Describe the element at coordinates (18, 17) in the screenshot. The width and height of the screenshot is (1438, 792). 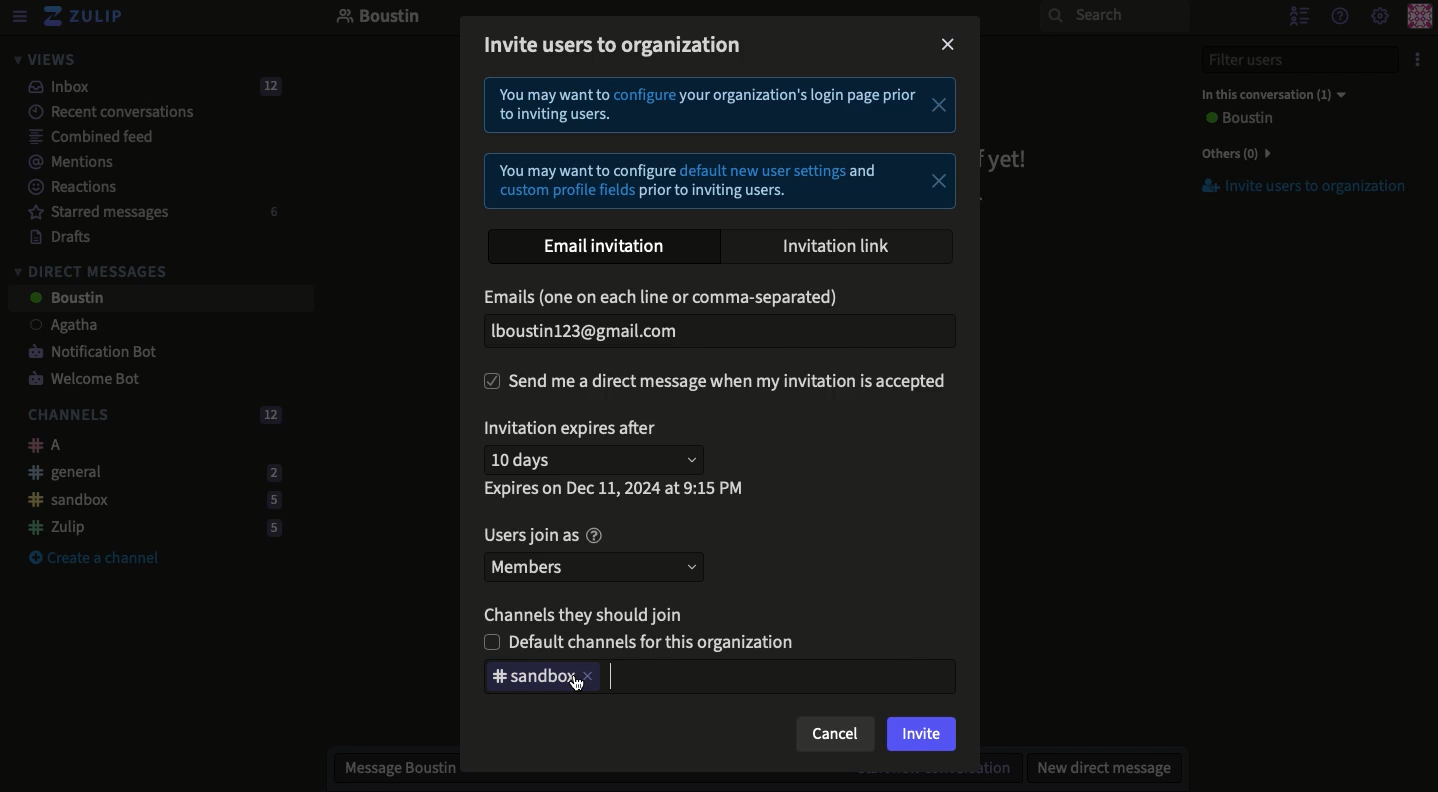
I see `View menu` at that location.